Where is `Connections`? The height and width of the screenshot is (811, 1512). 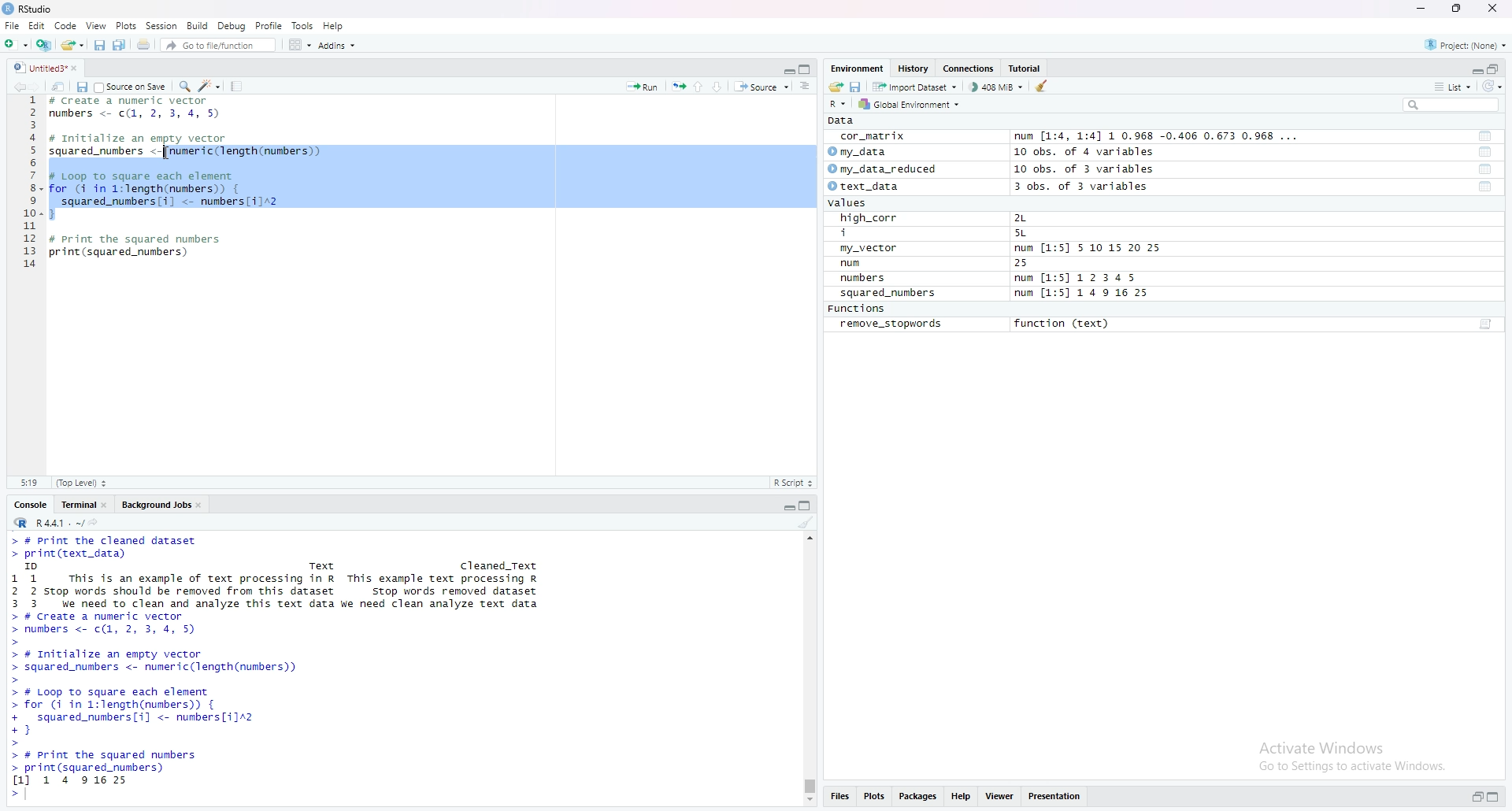 Connections is located at coordinates (970, 69).